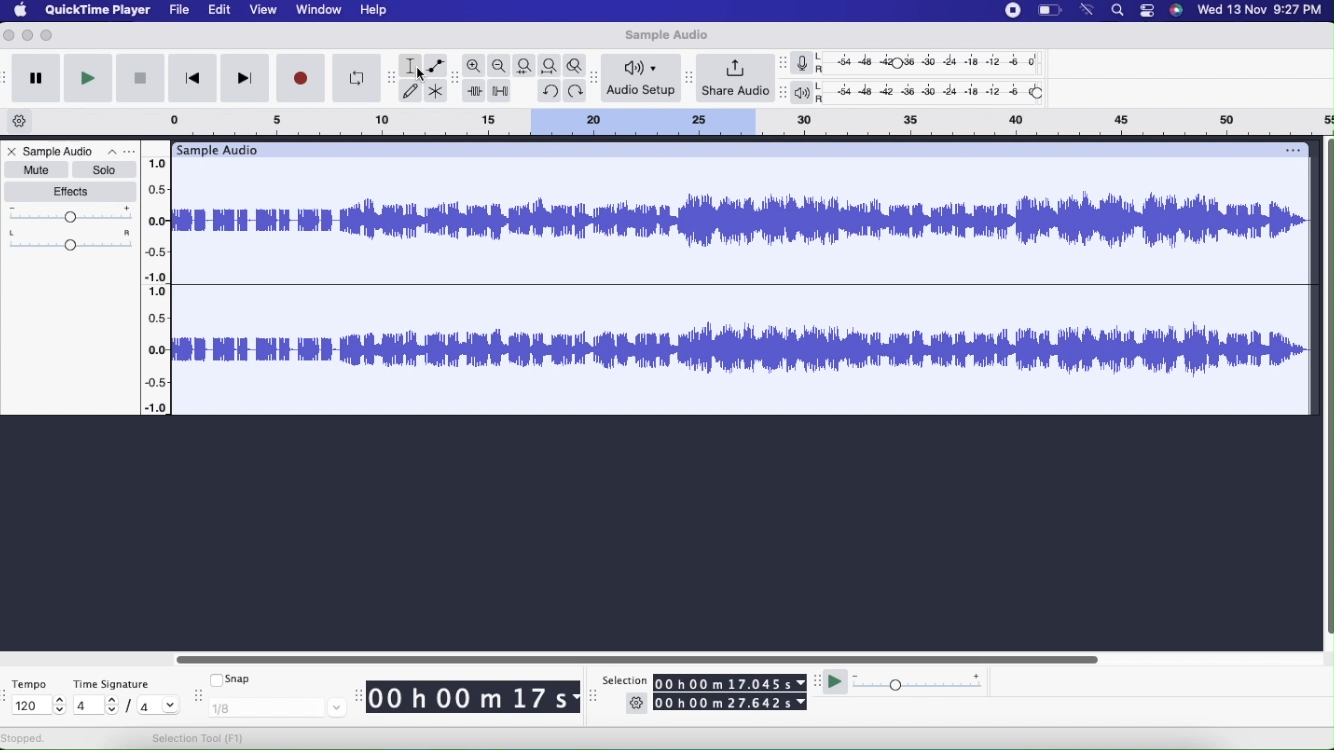  What do you see at coordinates (731, 704) in the screenshot?
I see `00 h 00 m 27.642 s` at bounding box center [731, 704].